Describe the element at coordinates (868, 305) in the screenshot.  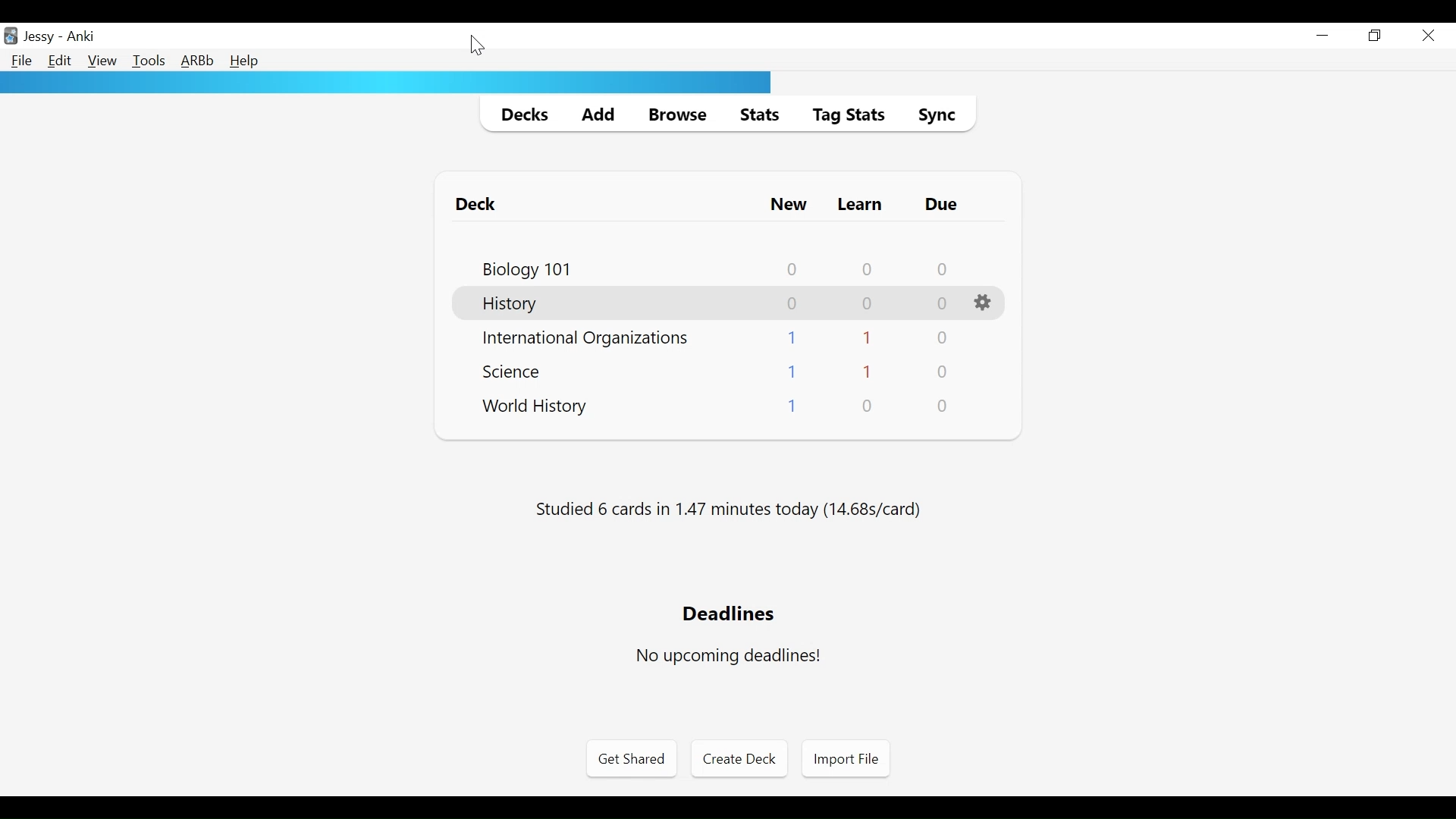
I see `Learn Card Name` at that location.